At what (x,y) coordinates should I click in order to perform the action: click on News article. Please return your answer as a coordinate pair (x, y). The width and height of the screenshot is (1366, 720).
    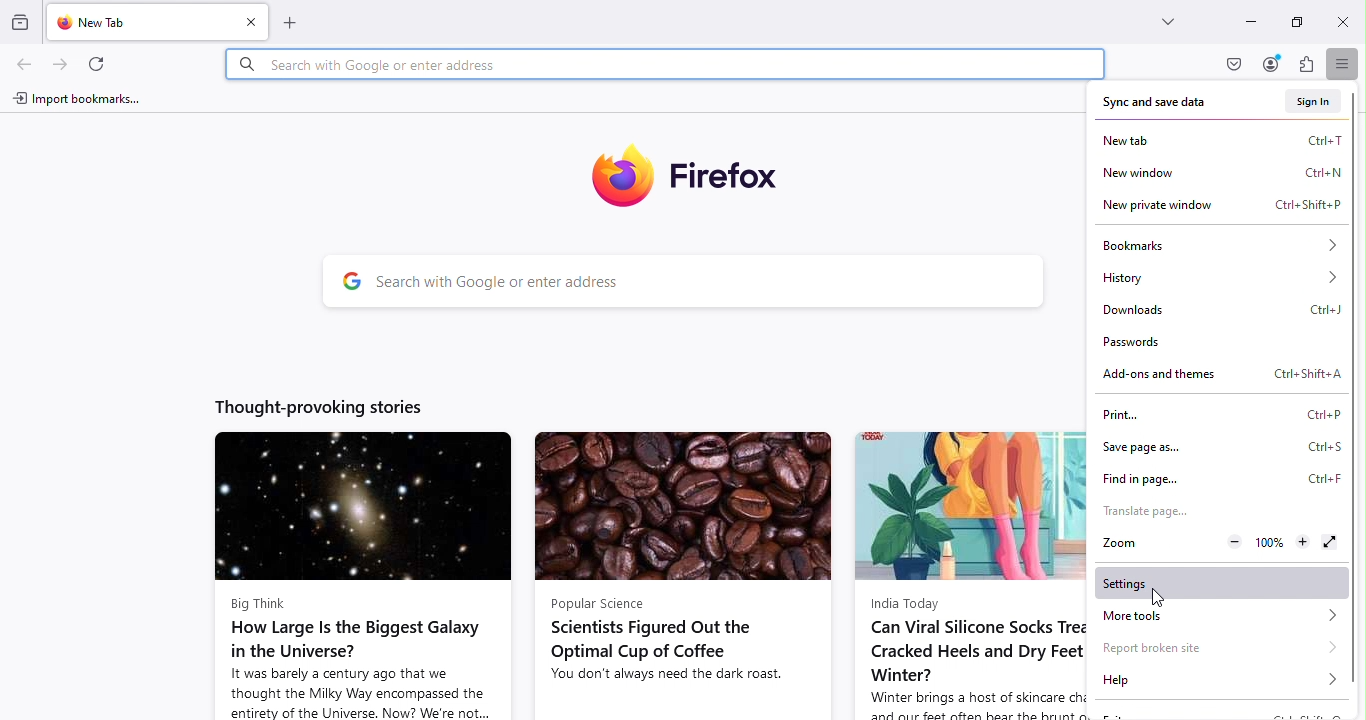
    Looking at the image, I should click on (969, 573).